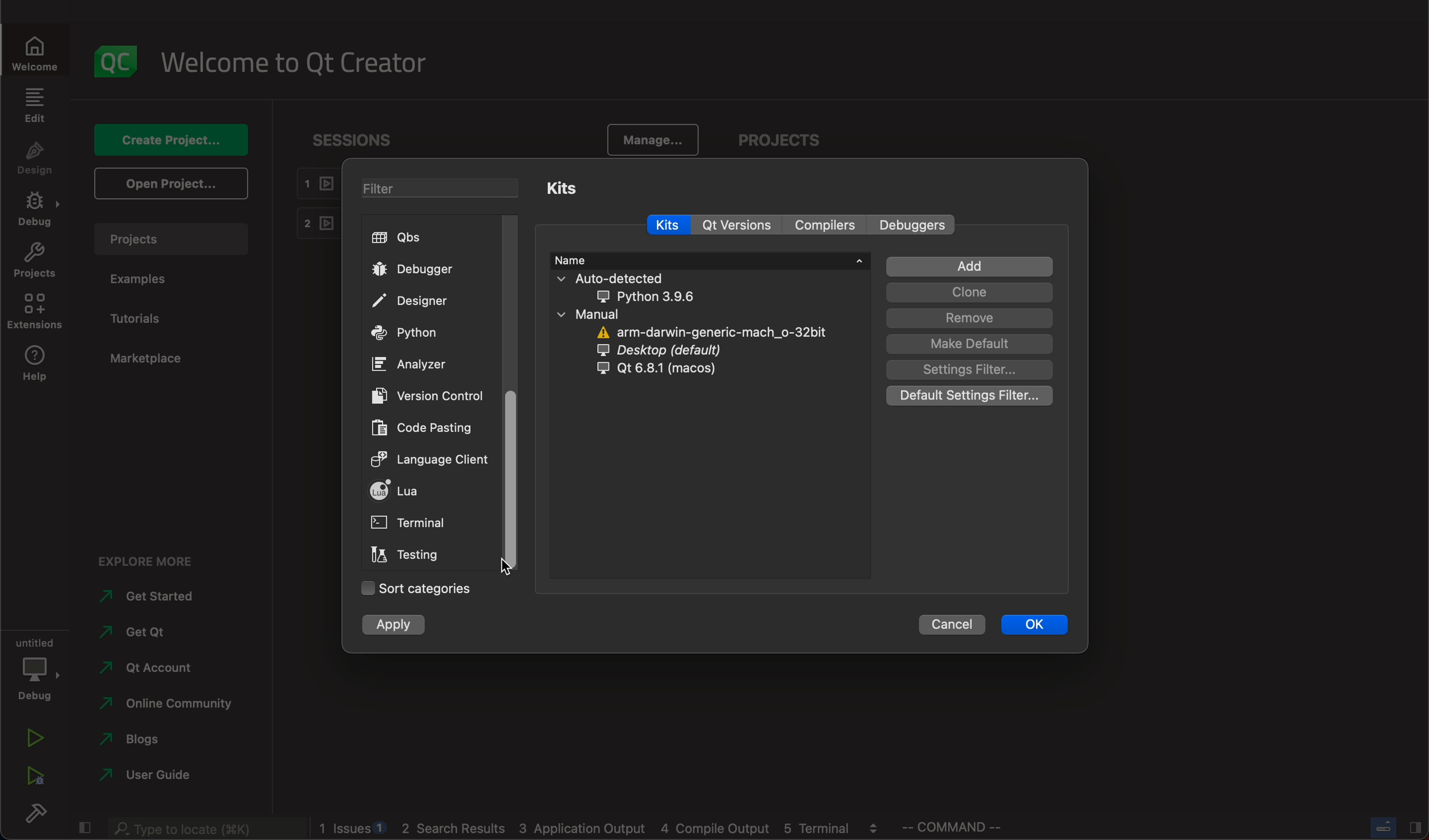 Image resolution: width=1429 pixels, height=840 pixels. Describe the element at coordinates (667, 374) in the screenshot. I see `qt` at that location.